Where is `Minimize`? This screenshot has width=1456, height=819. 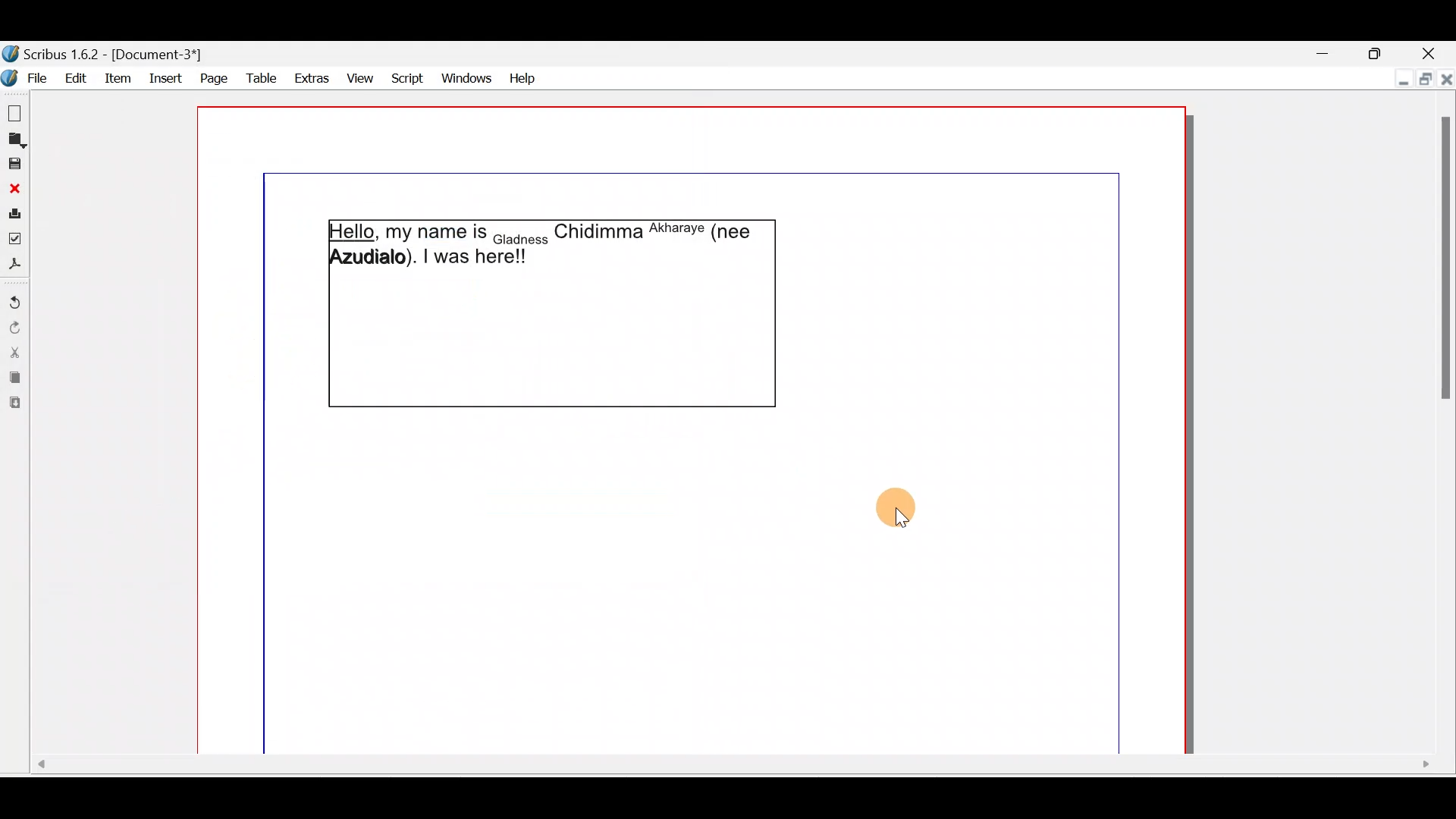 Minimize is located at coordinates (1334, 54).